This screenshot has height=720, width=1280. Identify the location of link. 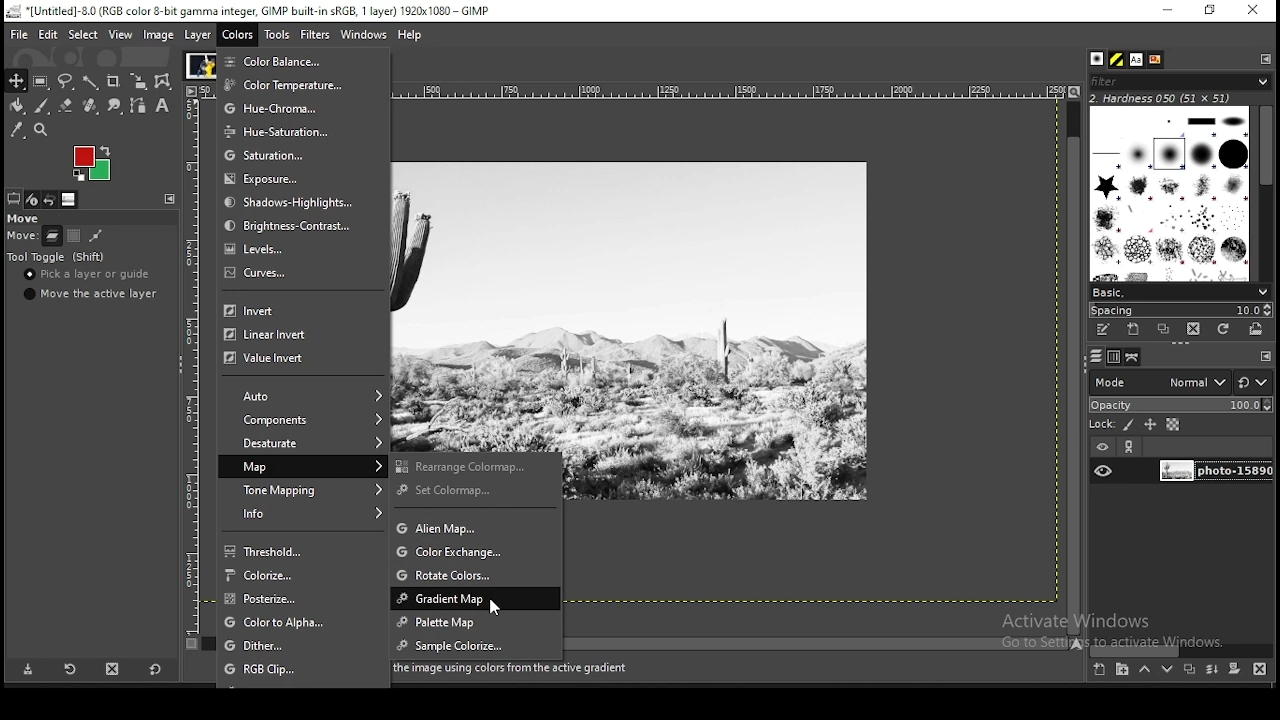
(1131, 447).